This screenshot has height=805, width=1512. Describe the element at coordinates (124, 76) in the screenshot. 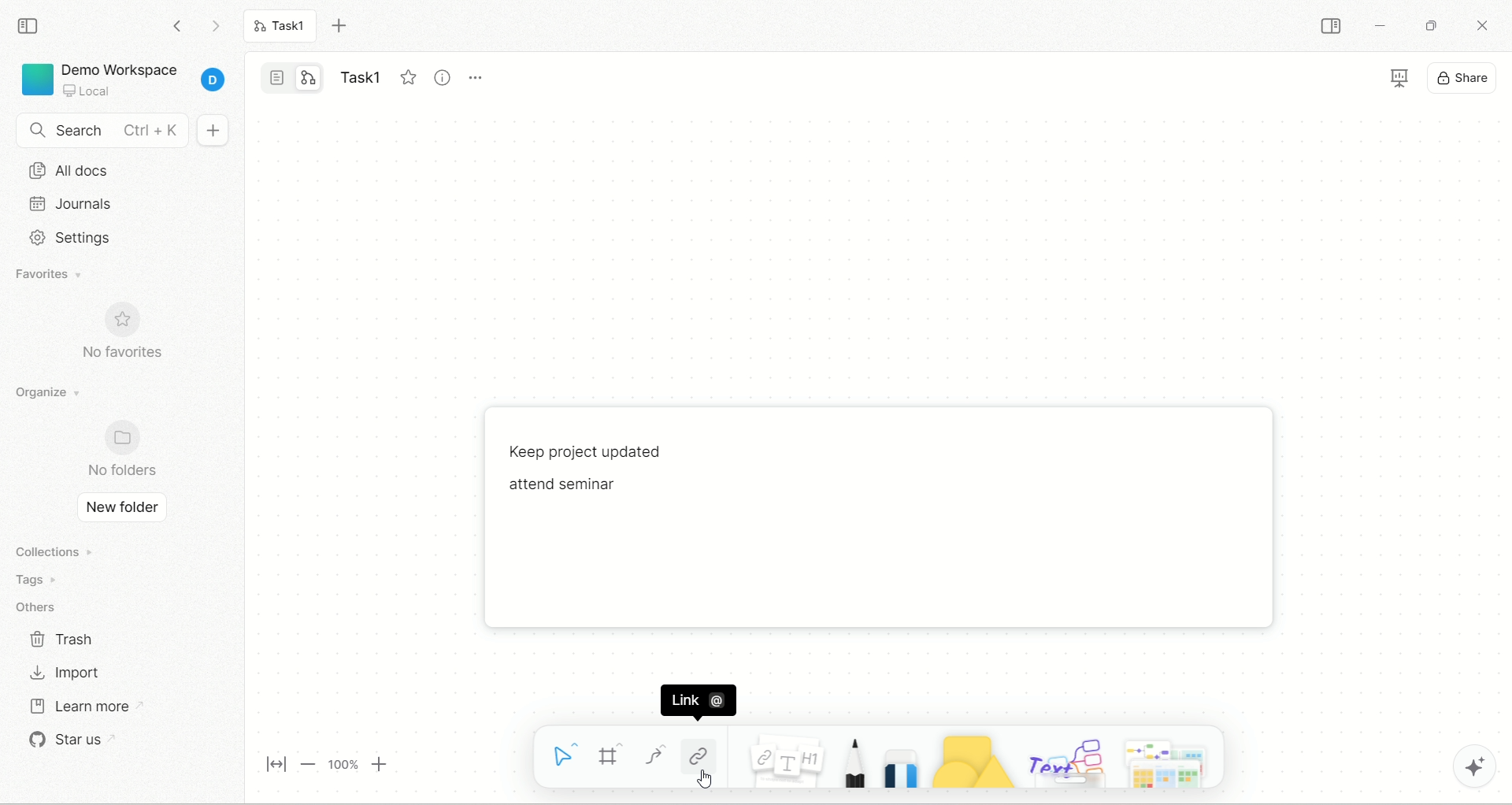

I see `project - Demo Workspace` at that location.